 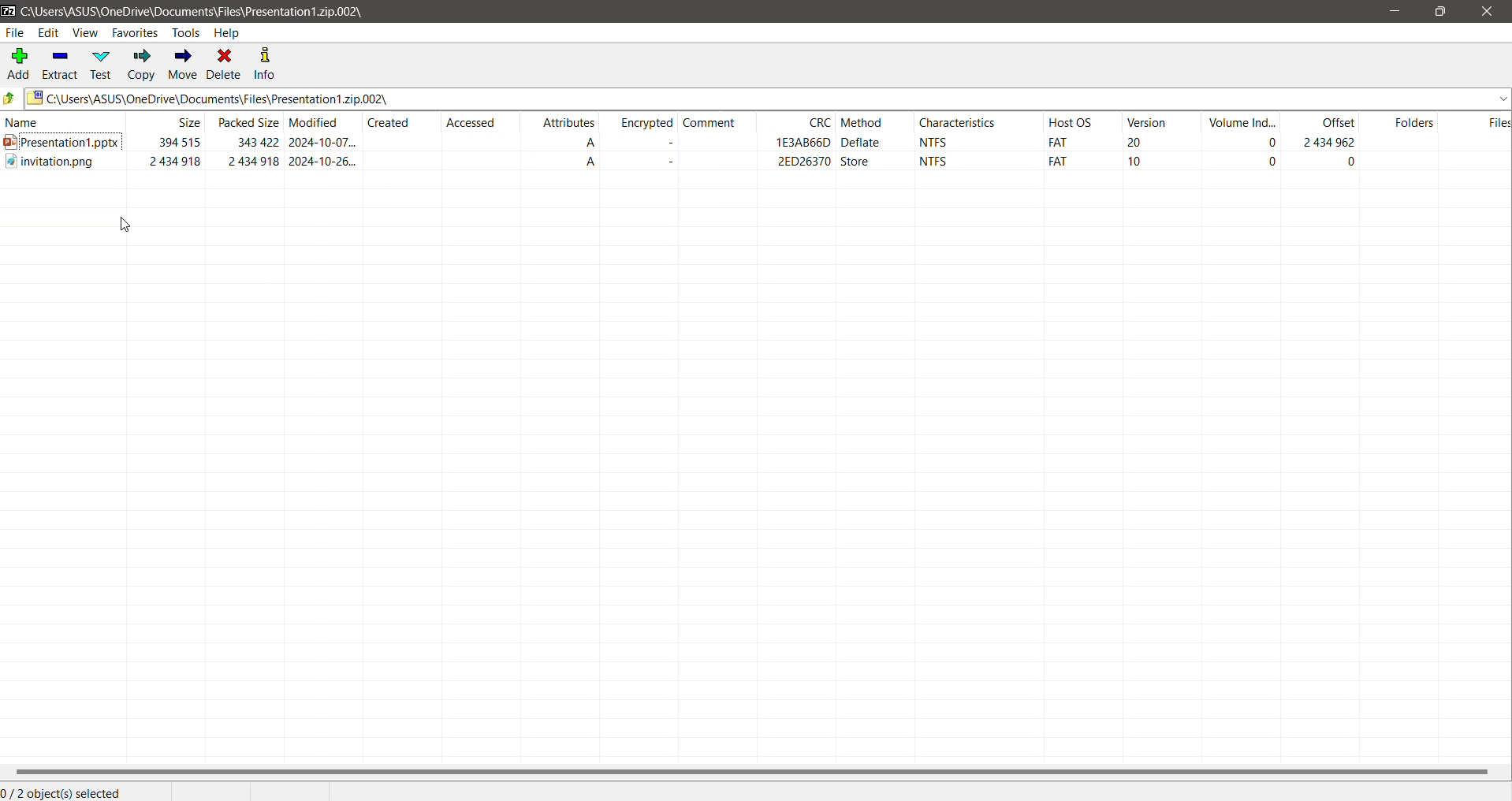 What do you see at coordinates (324, 143) in the screenshot?
I see `2024-10-07...` at bounding box center [324, 143].